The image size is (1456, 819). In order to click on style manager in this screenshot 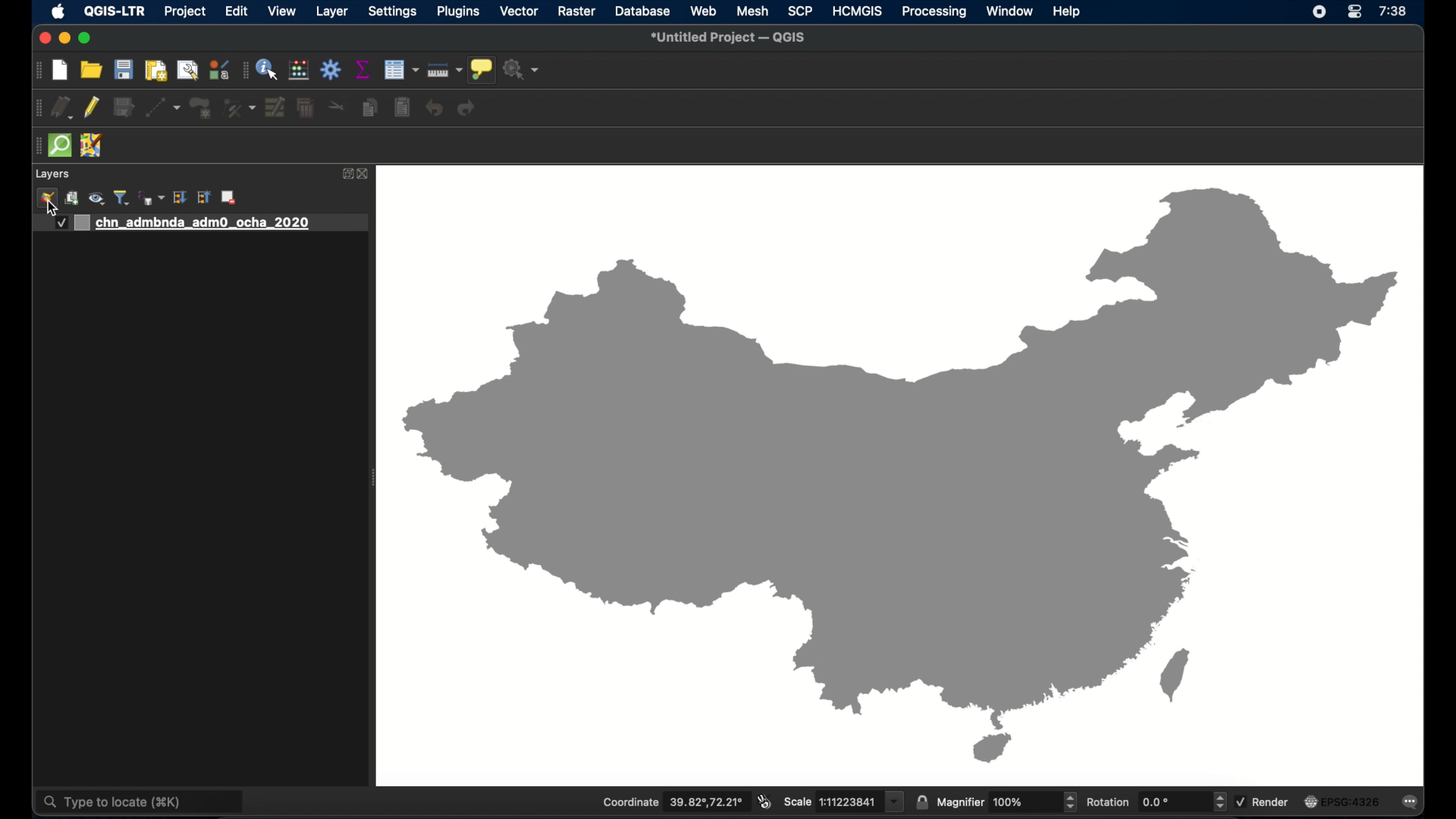, I will do `click(219, 69)`.